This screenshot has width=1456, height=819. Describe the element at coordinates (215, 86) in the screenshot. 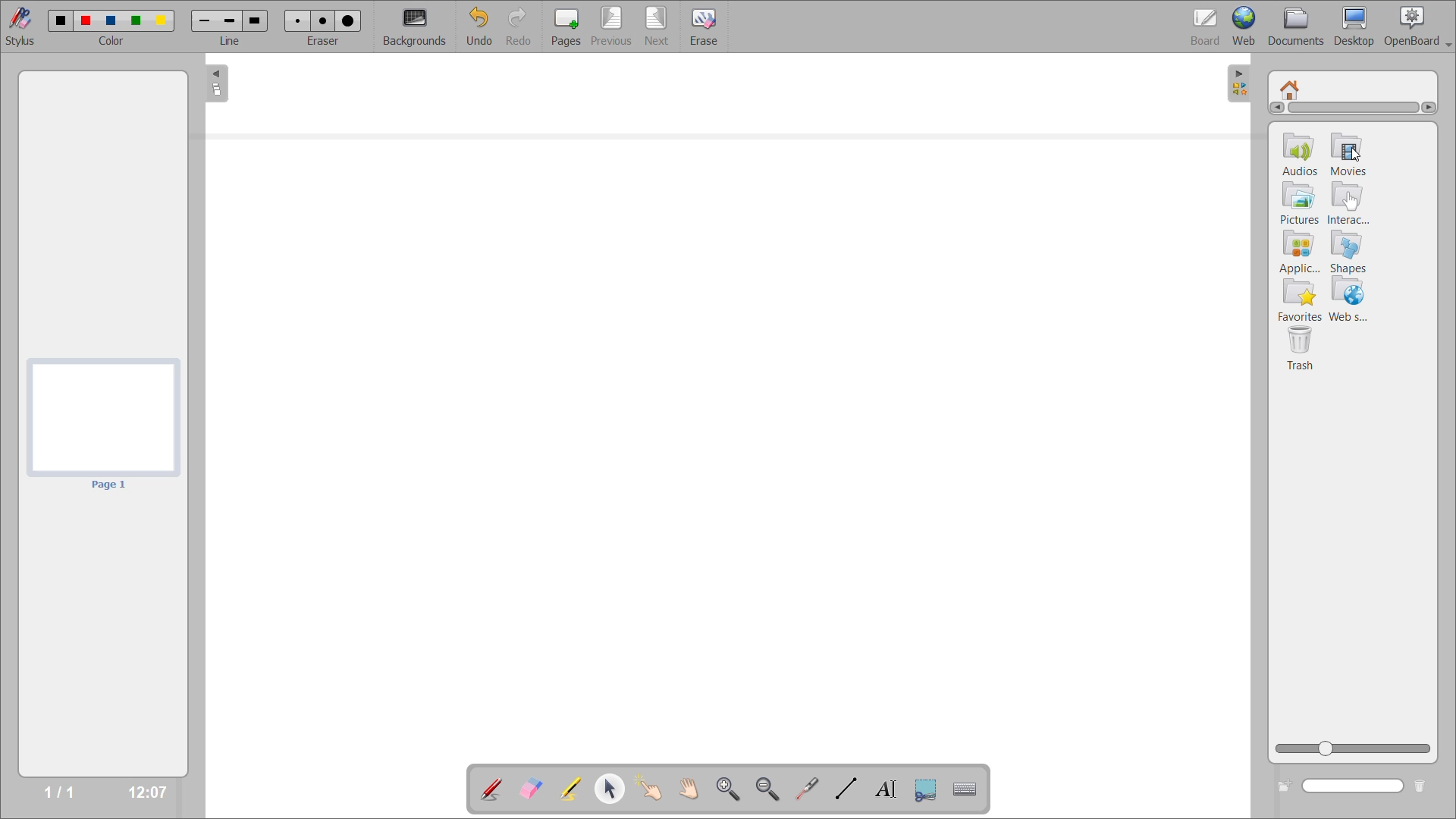

I see `collapse` at that location.